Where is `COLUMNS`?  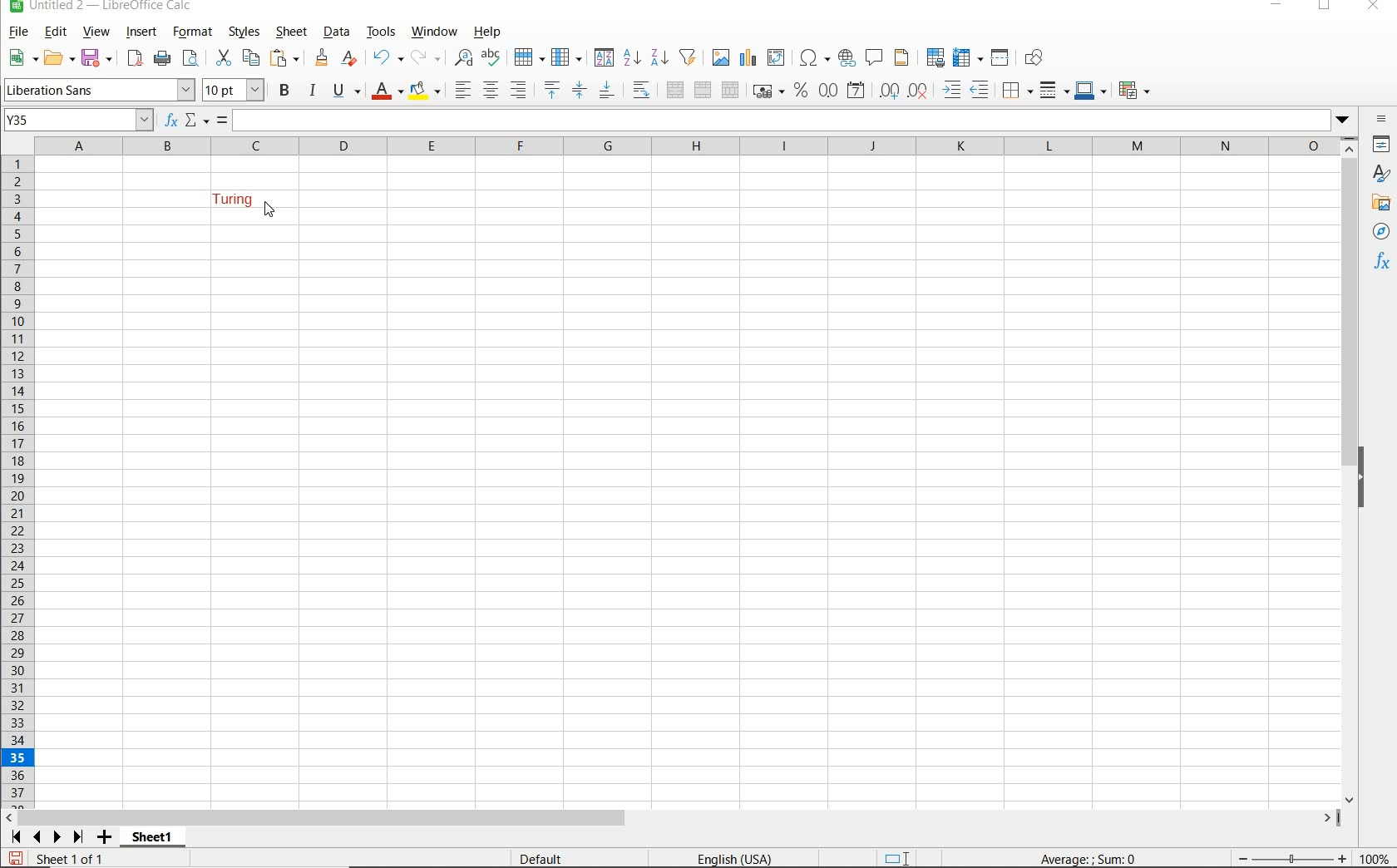
COLUMNS is located at coordinates (683, 145).